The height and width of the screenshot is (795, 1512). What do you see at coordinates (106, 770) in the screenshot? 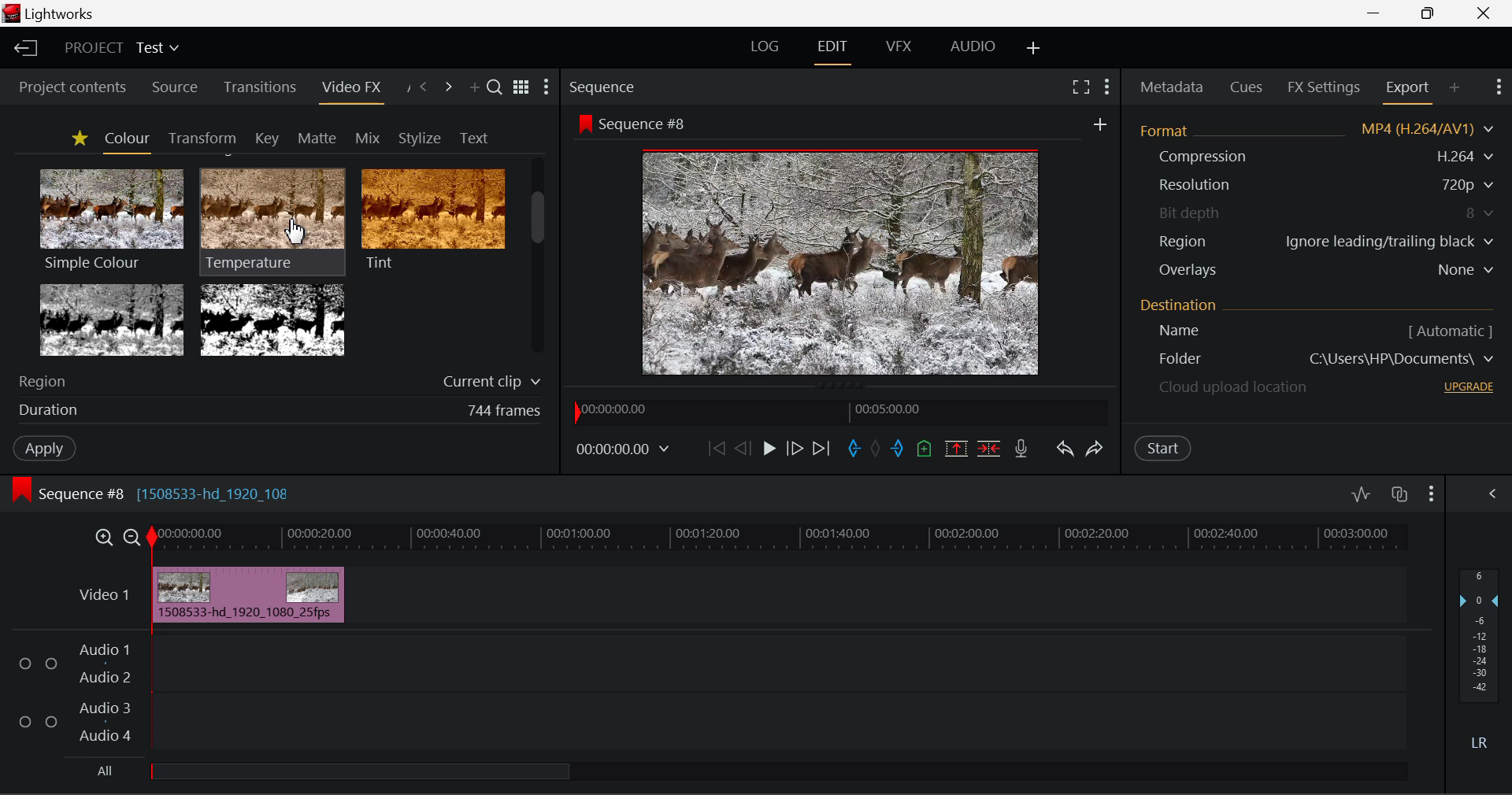
I see `All` at bounding box center [106, 770].